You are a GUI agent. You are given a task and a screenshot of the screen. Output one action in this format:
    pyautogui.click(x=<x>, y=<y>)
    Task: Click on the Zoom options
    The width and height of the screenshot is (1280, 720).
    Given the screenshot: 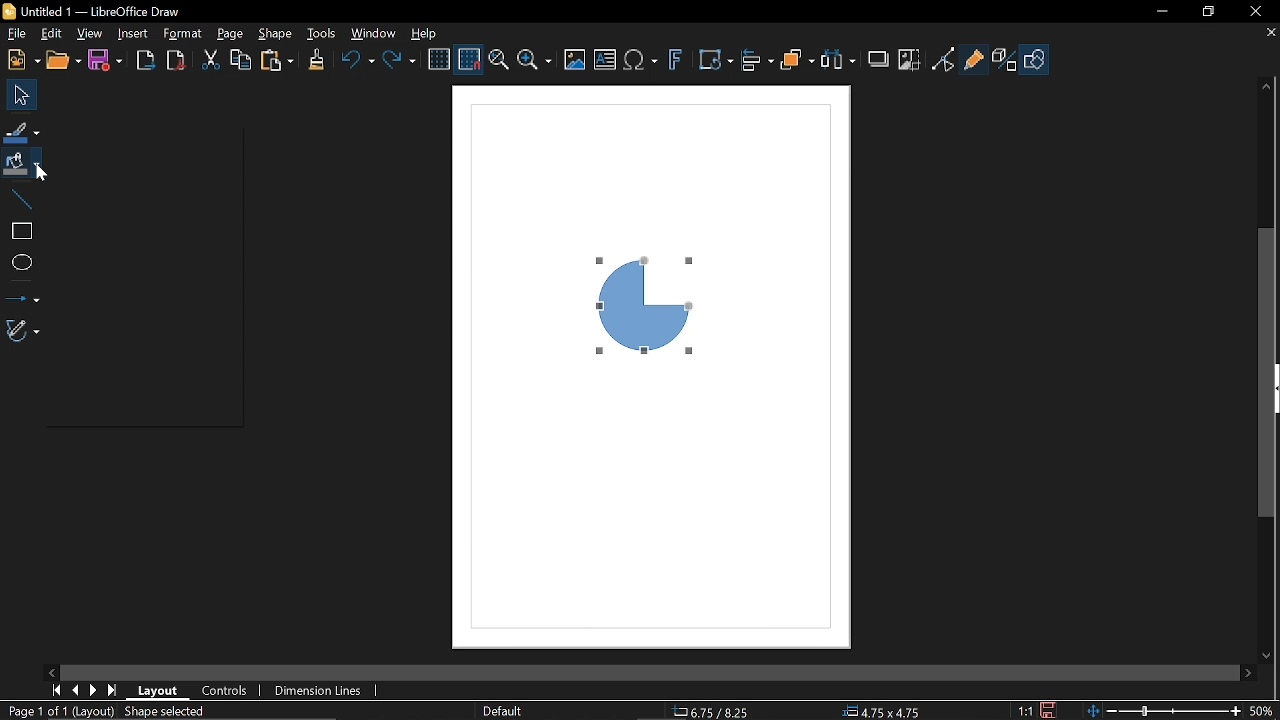 What is the action you would take?
    pyautogui.click(x=534, y=60)
    